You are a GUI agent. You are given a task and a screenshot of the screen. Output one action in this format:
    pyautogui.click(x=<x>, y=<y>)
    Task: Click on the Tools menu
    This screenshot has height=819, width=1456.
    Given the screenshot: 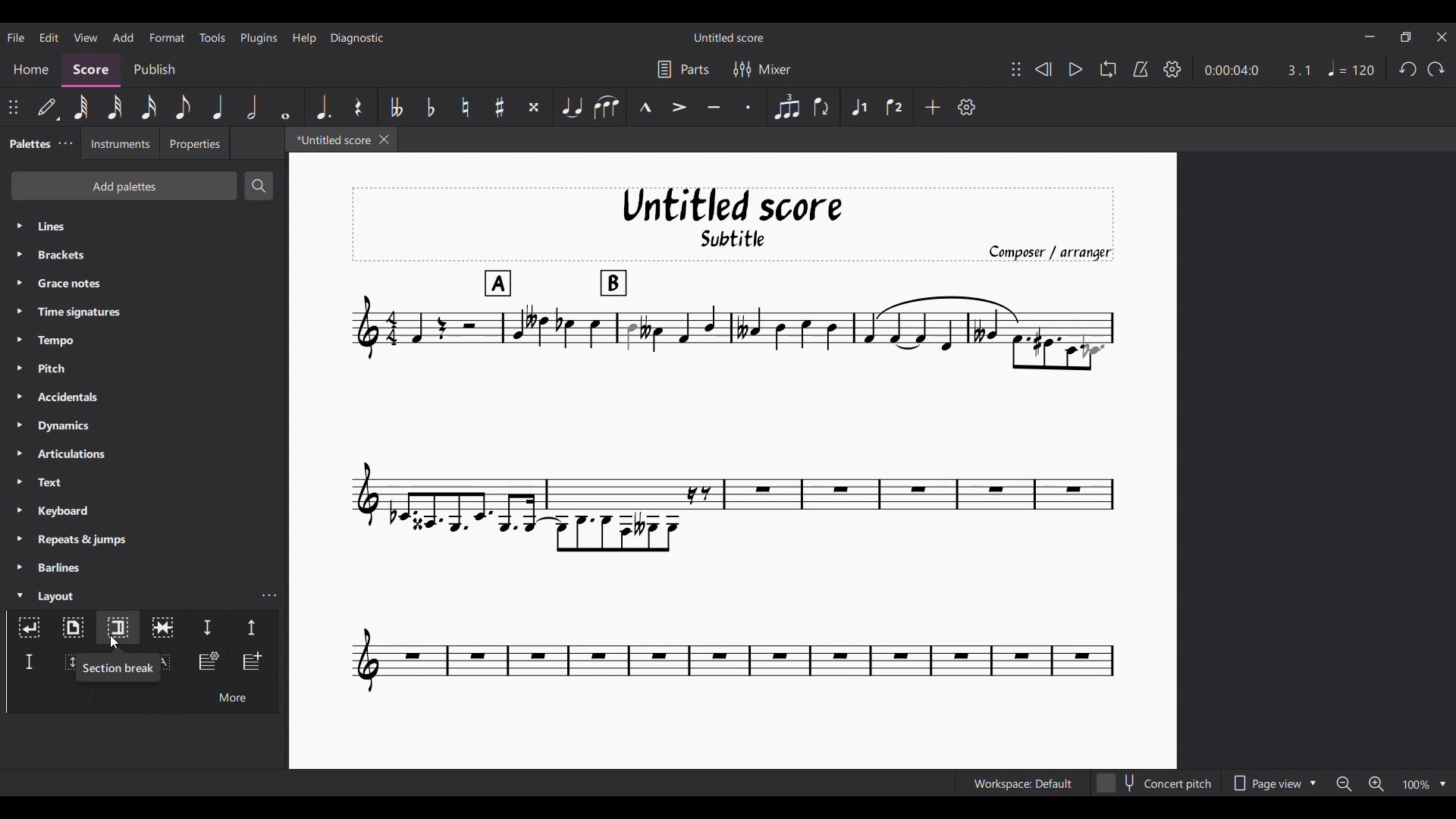 What is the action you would take?
    pyautogui.click(x=212, y=37)
    